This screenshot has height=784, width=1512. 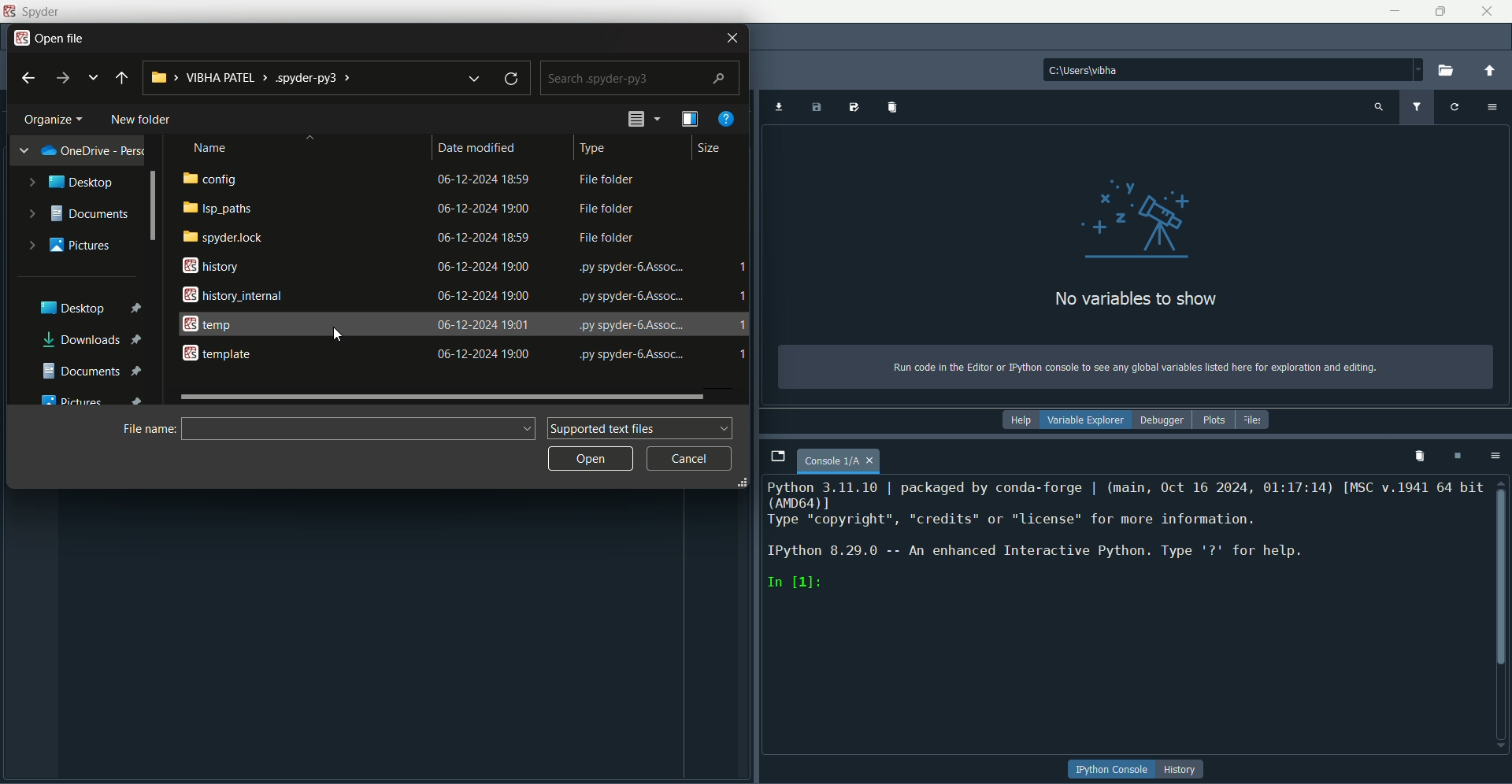 I want to click on file path, so click(x=1232, y=69).